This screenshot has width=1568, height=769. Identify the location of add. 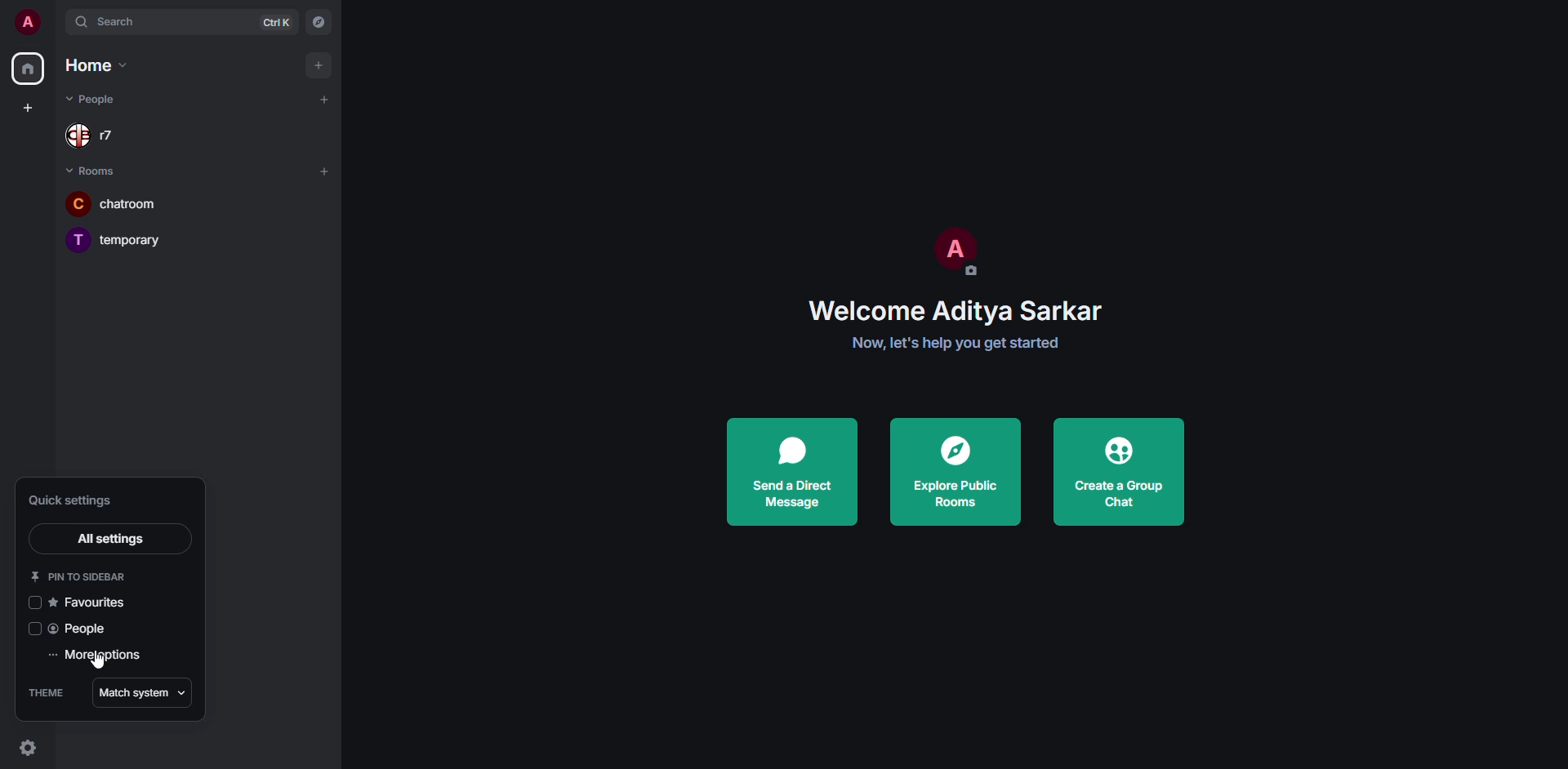
(319, 65).